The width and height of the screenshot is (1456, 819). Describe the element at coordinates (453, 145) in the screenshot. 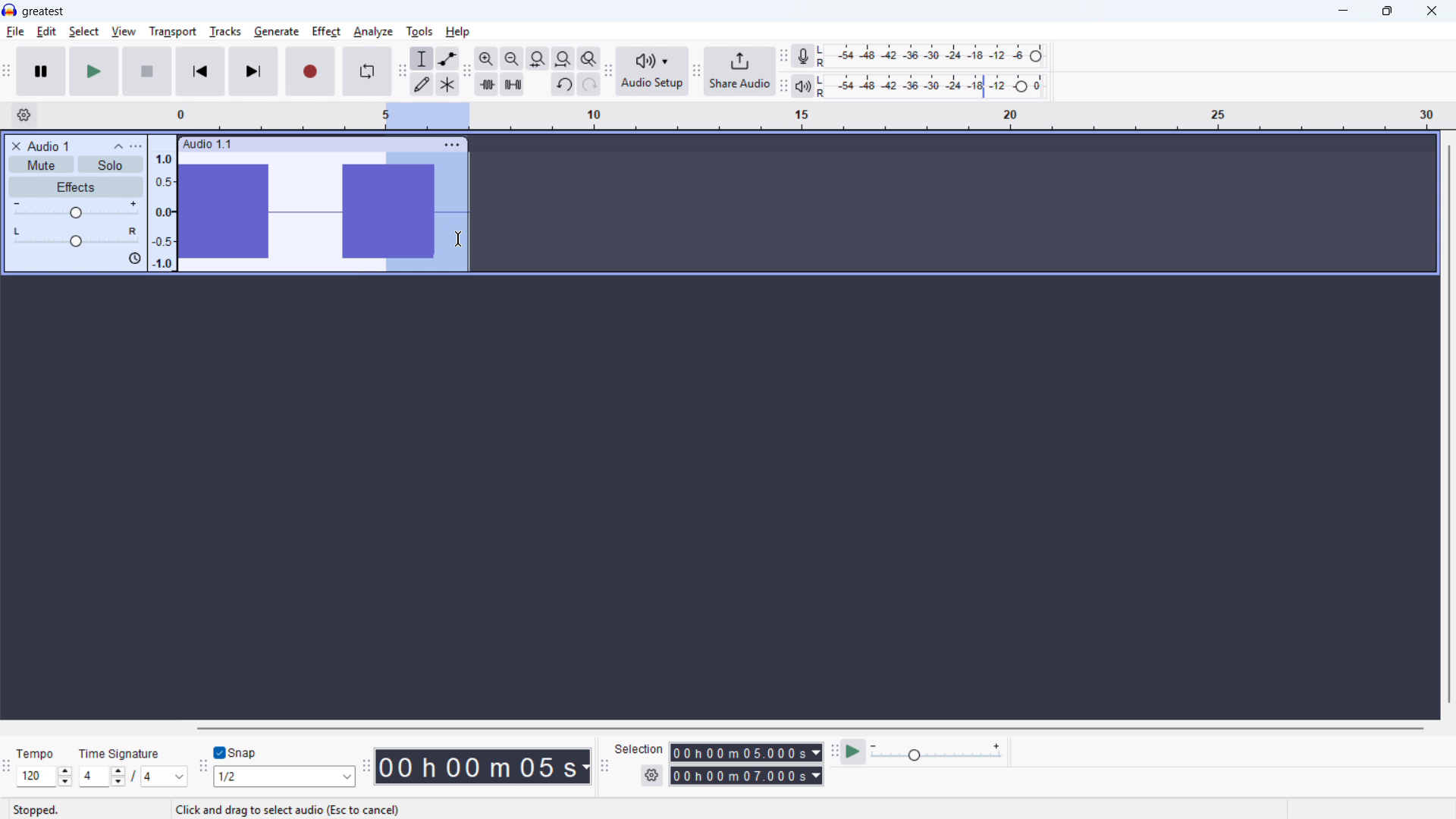

I see `Track options ` at that location.